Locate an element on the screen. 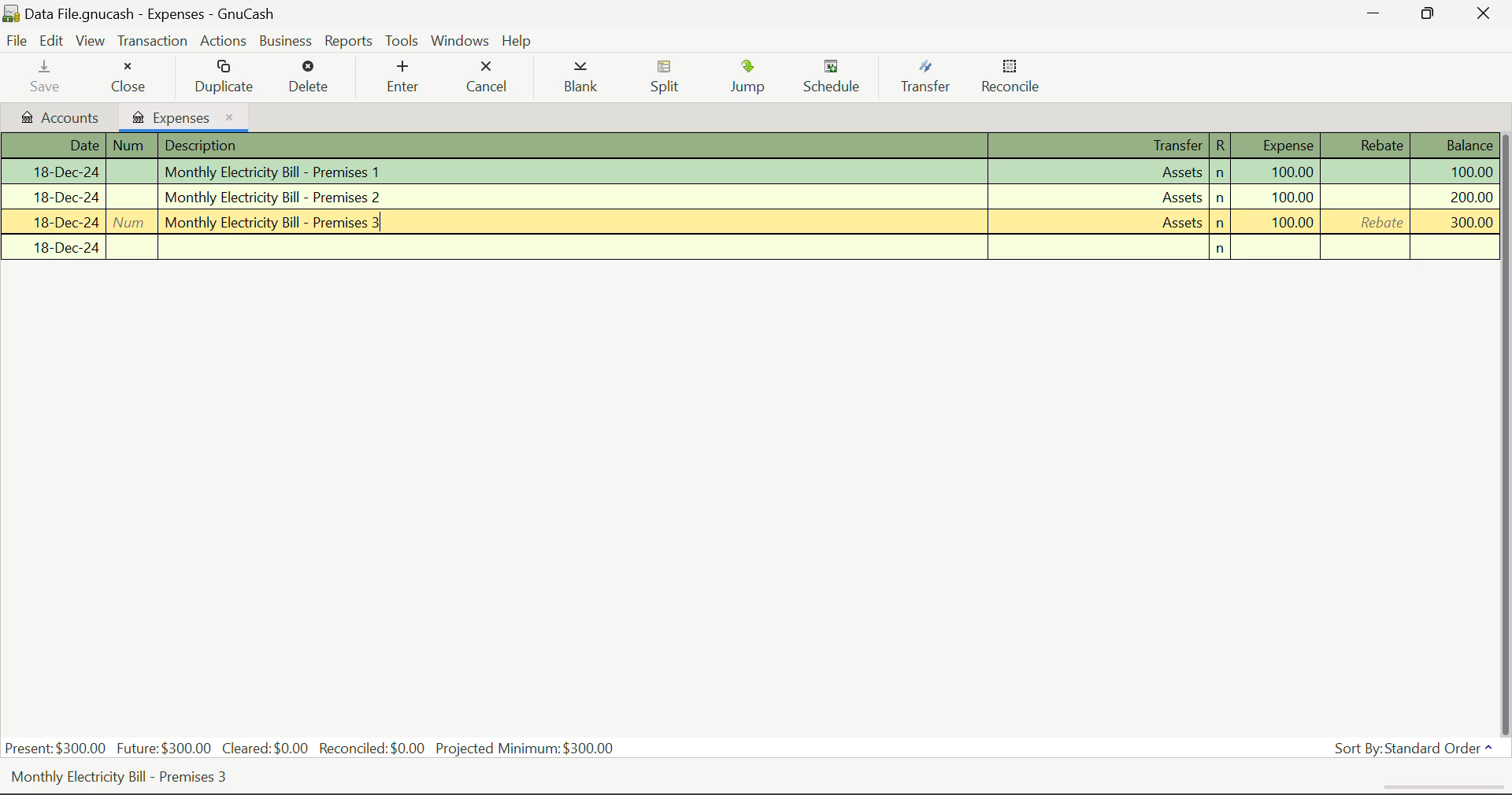 The height and width of the screenshot is (795, 1512). Save is located at coordinates (49, 78).